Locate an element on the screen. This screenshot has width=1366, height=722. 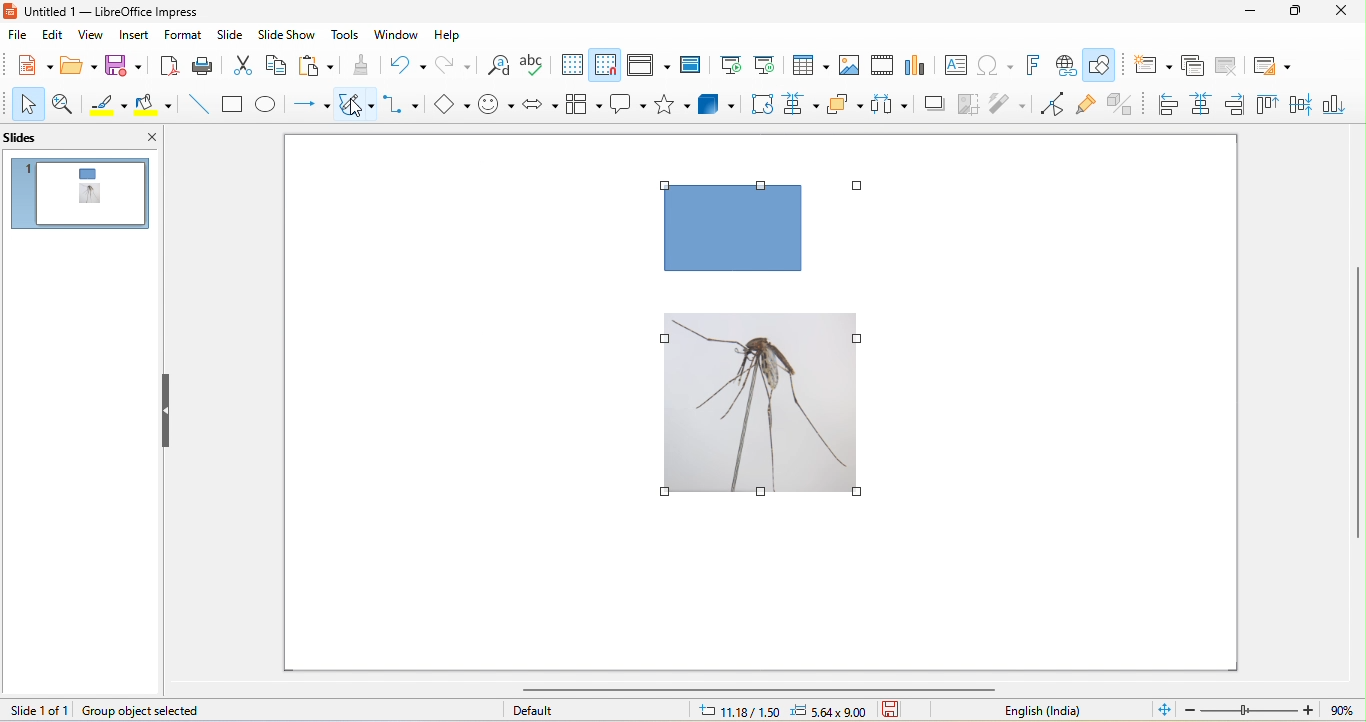
connectors is located at coordinates (402, 106).